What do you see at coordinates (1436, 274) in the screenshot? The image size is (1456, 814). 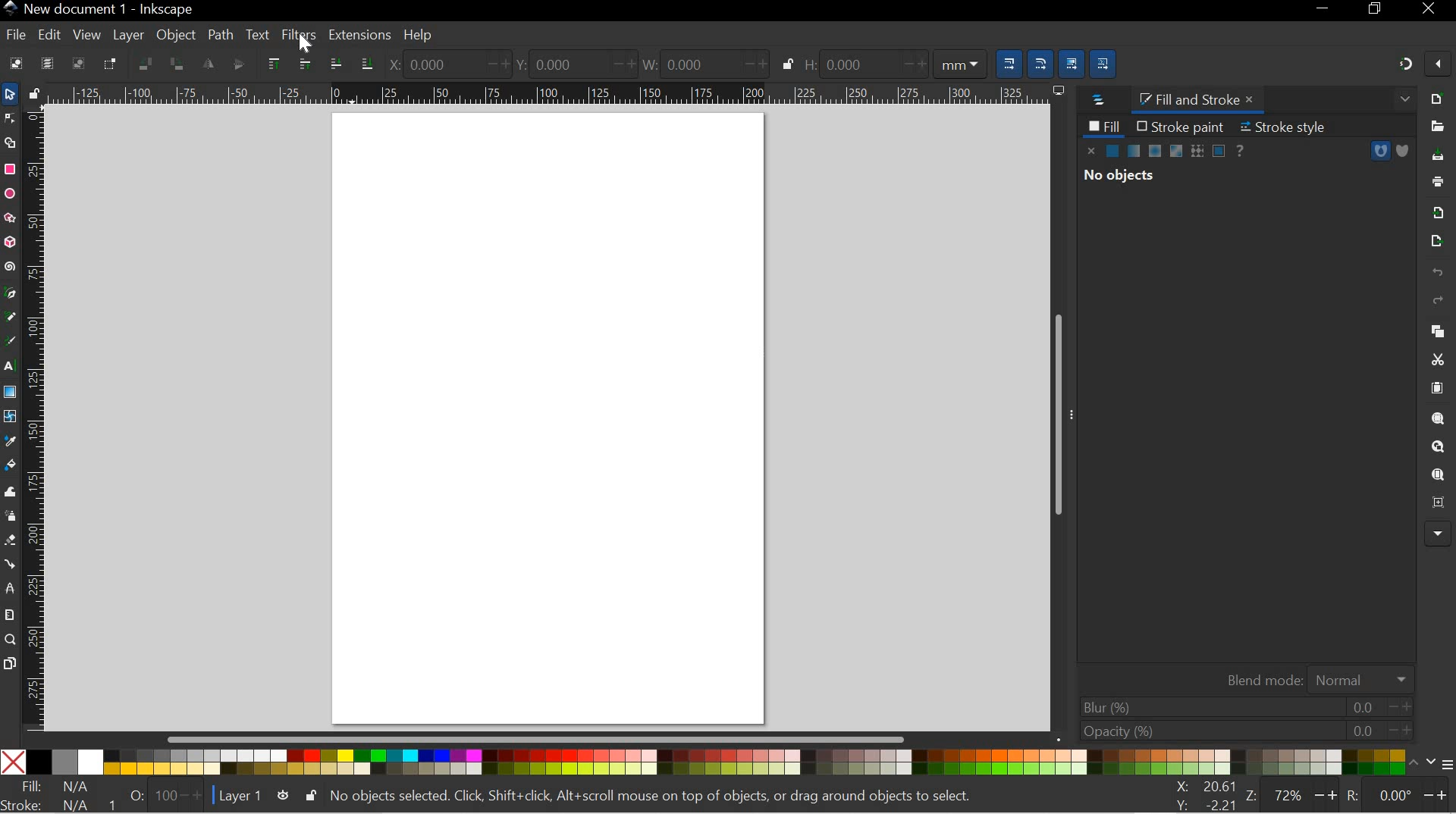 I see `UNDO` at bounding box center [1436, 274].